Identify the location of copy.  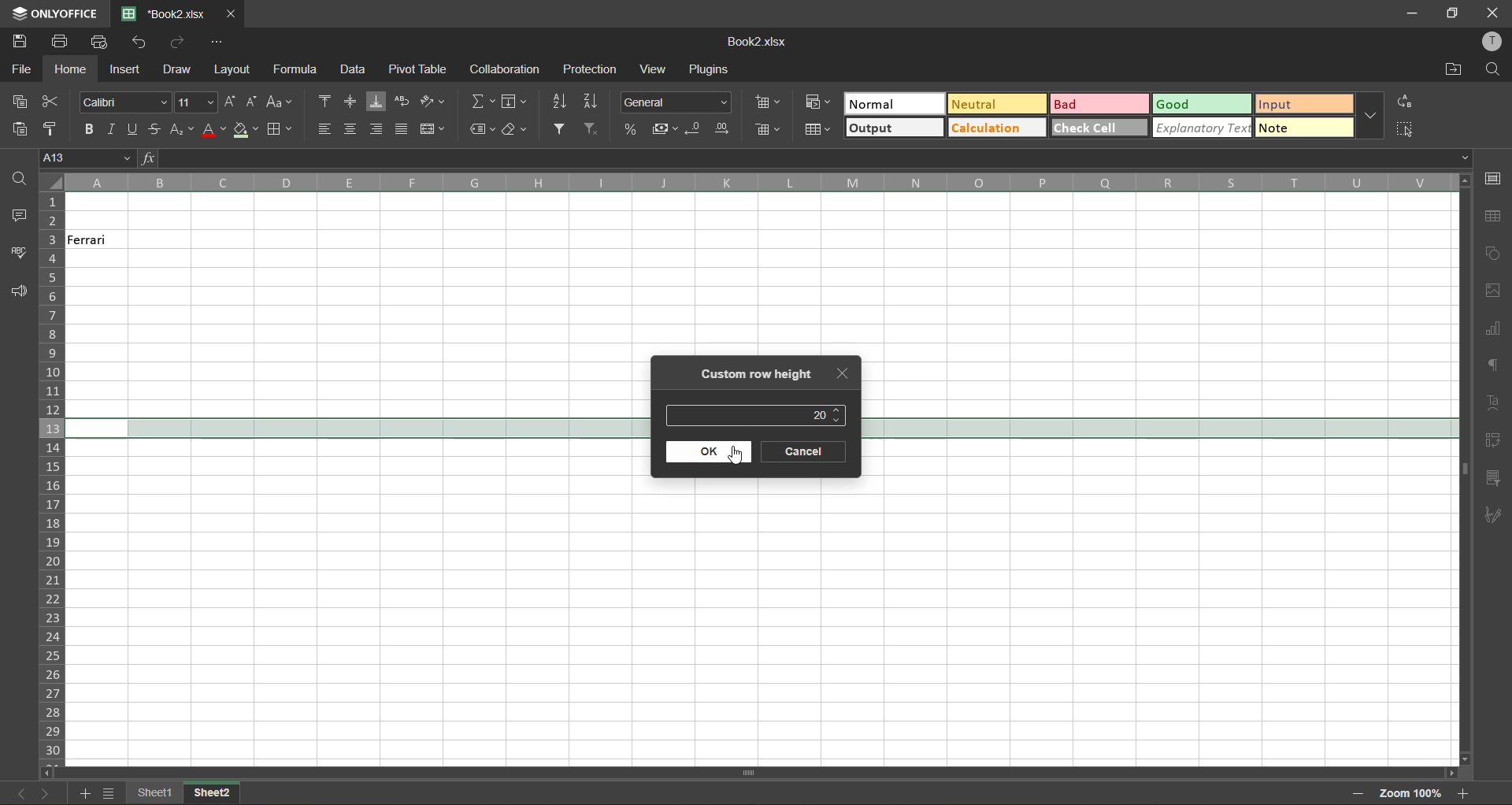
(24, 103).